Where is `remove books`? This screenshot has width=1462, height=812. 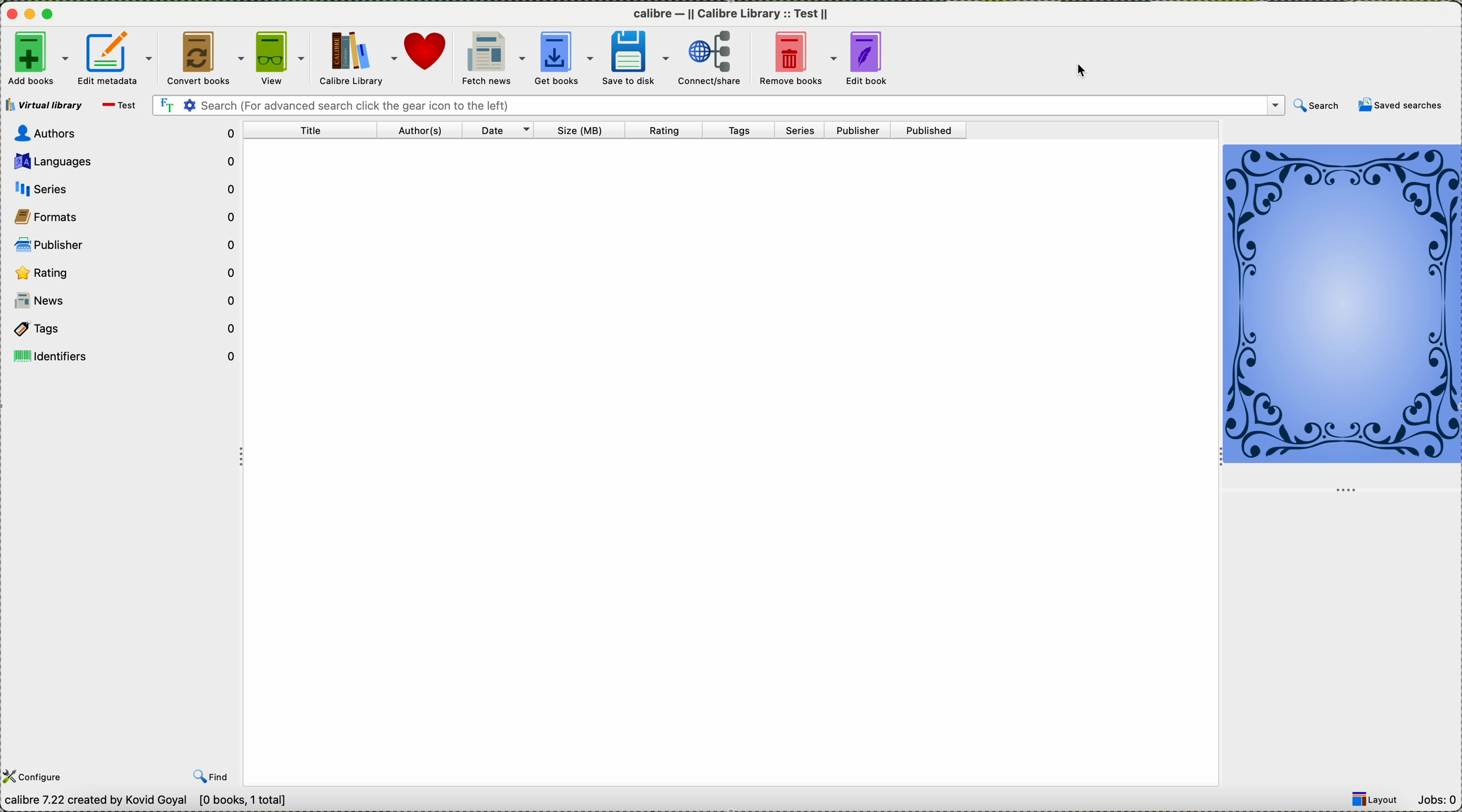 remove books is located at coordinates (802, 59).